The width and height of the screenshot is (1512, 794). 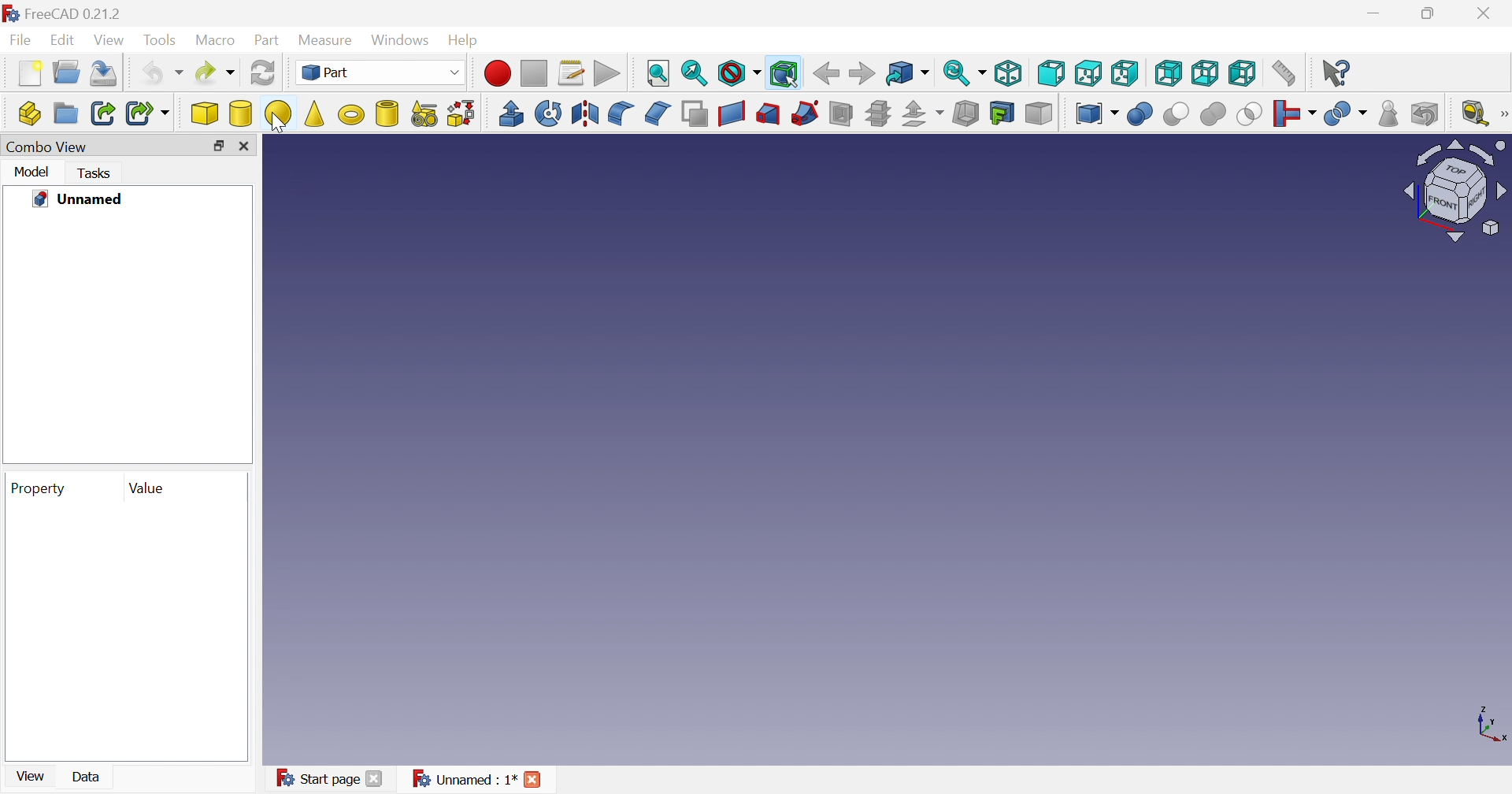 What do you see at coordinates (826, 75) in the screenshot?
I see `Back` at bounding box center [826, 75].